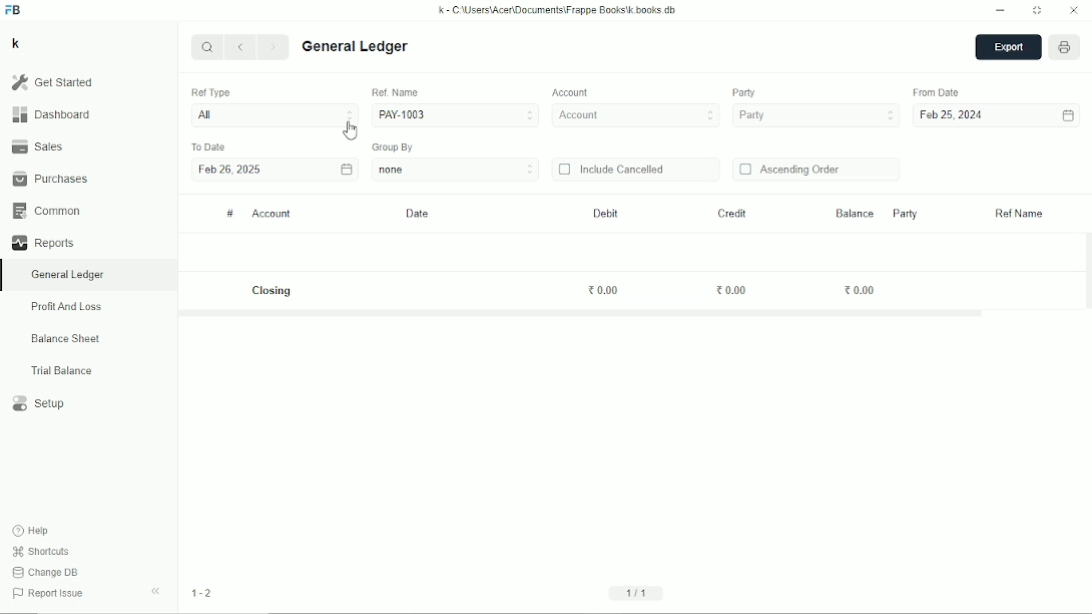 The image size is (1092, 614). Describe the element at coordinates (210, 93) in the screenshot. I see `Ref type` at that location.